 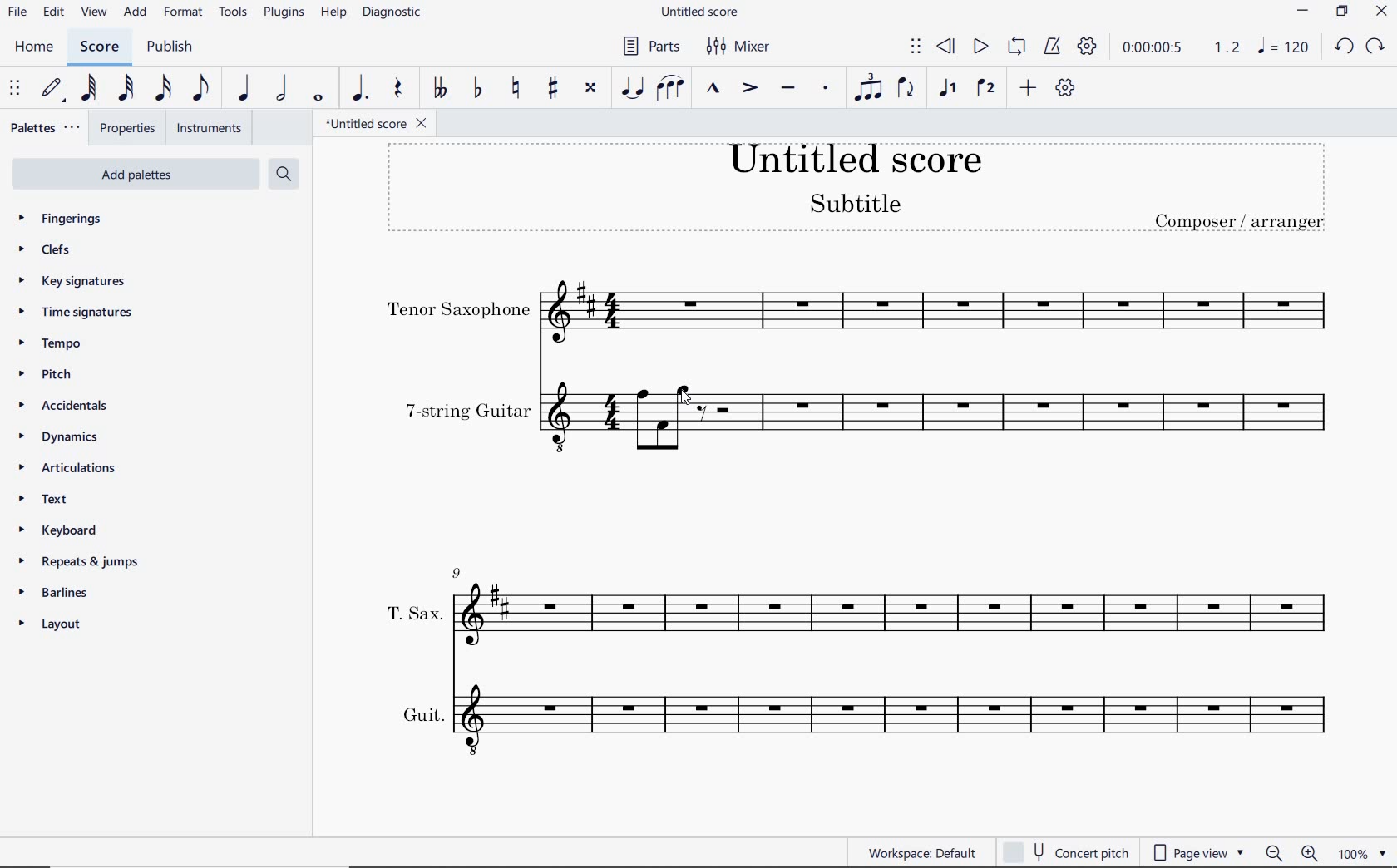 What do you see at coordinates (917, 47) in the screenshot?
I see `SELECT TO MOVE` at bounding box center [917, 47].